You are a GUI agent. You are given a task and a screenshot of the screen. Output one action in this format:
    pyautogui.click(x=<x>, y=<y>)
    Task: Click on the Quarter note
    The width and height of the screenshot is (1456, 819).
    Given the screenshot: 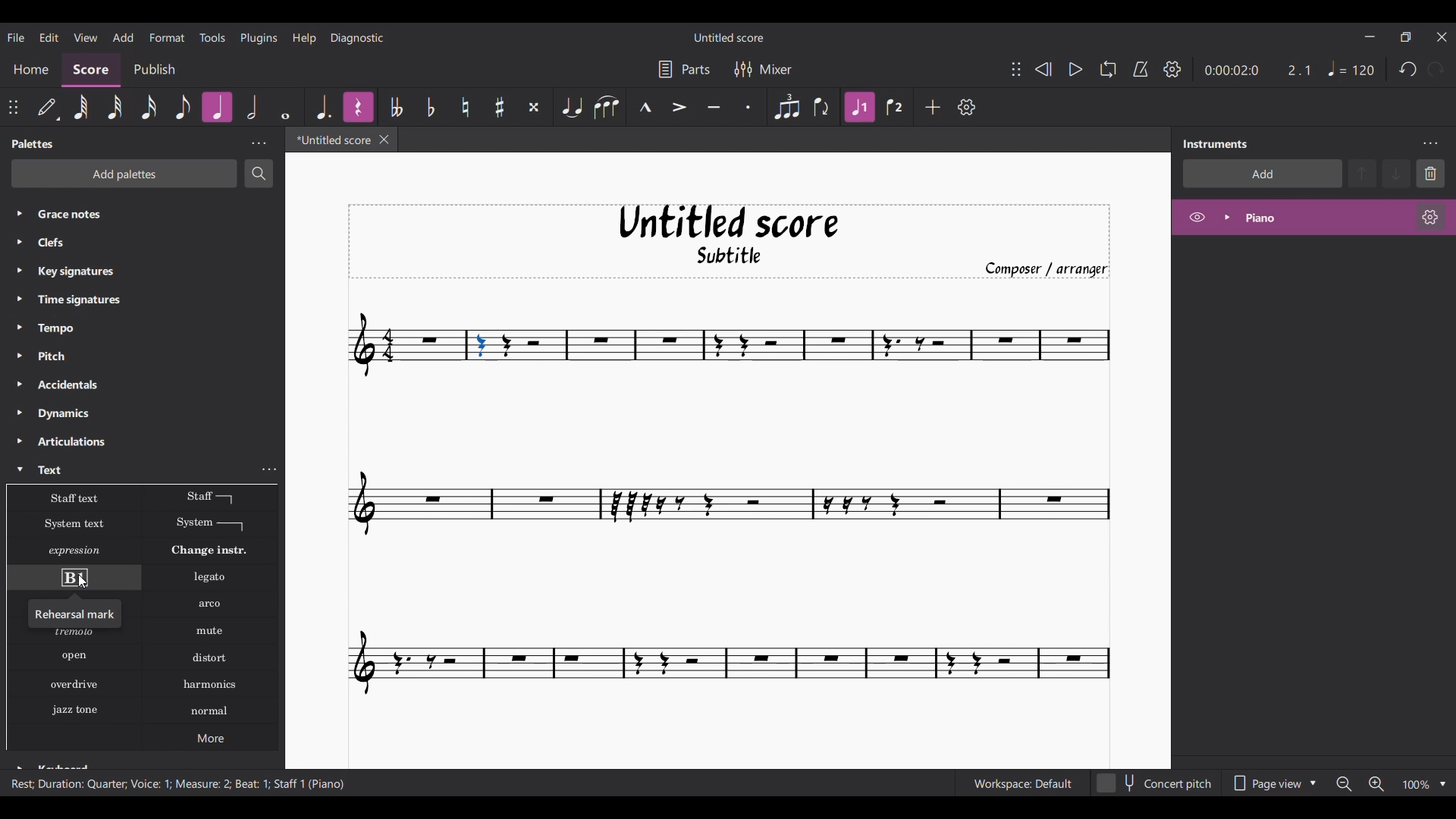 What is the action you would take?
    pyautogui.click(x=1351, y=68)
    